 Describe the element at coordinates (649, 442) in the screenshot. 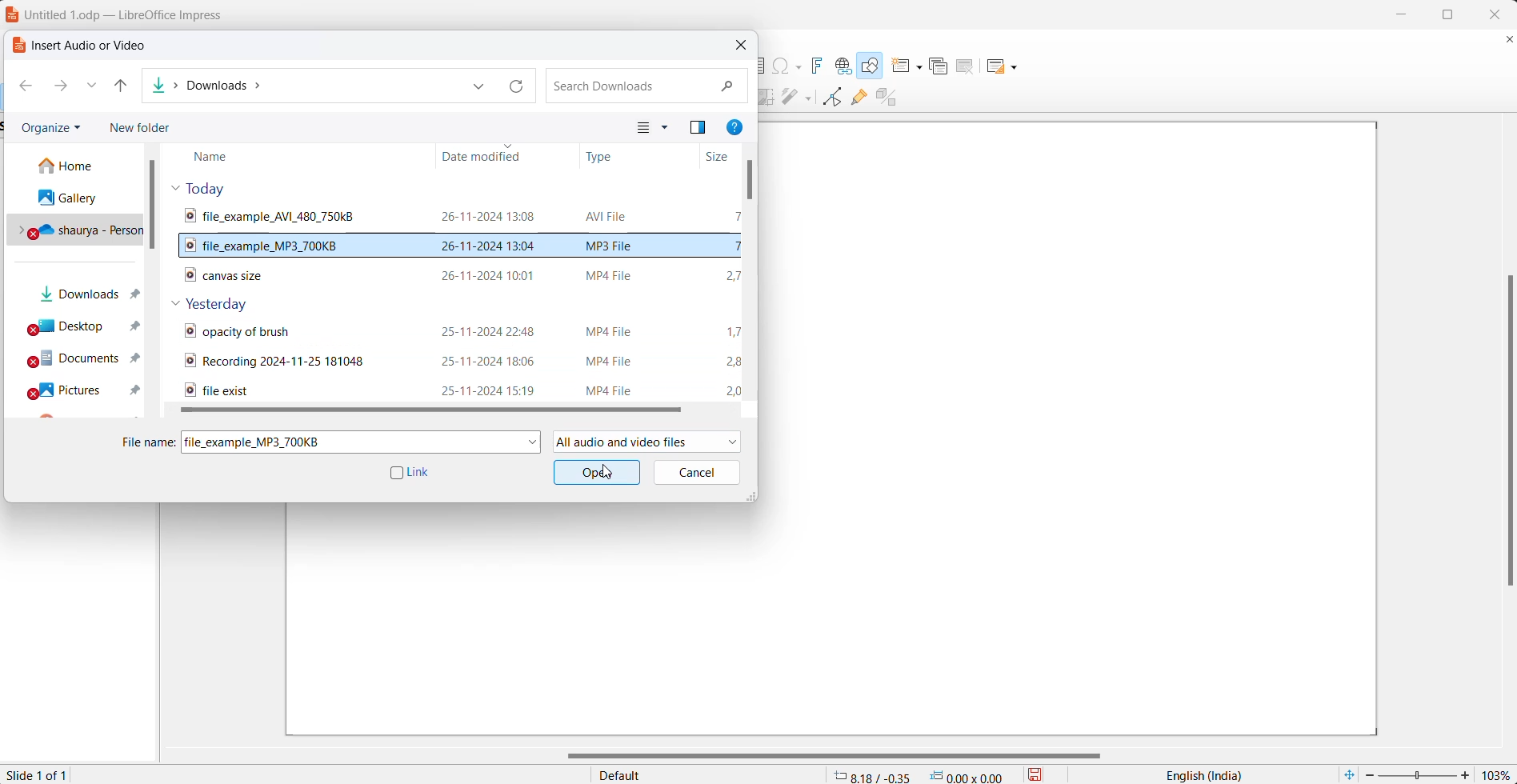

I see `allowed file type` at that location.